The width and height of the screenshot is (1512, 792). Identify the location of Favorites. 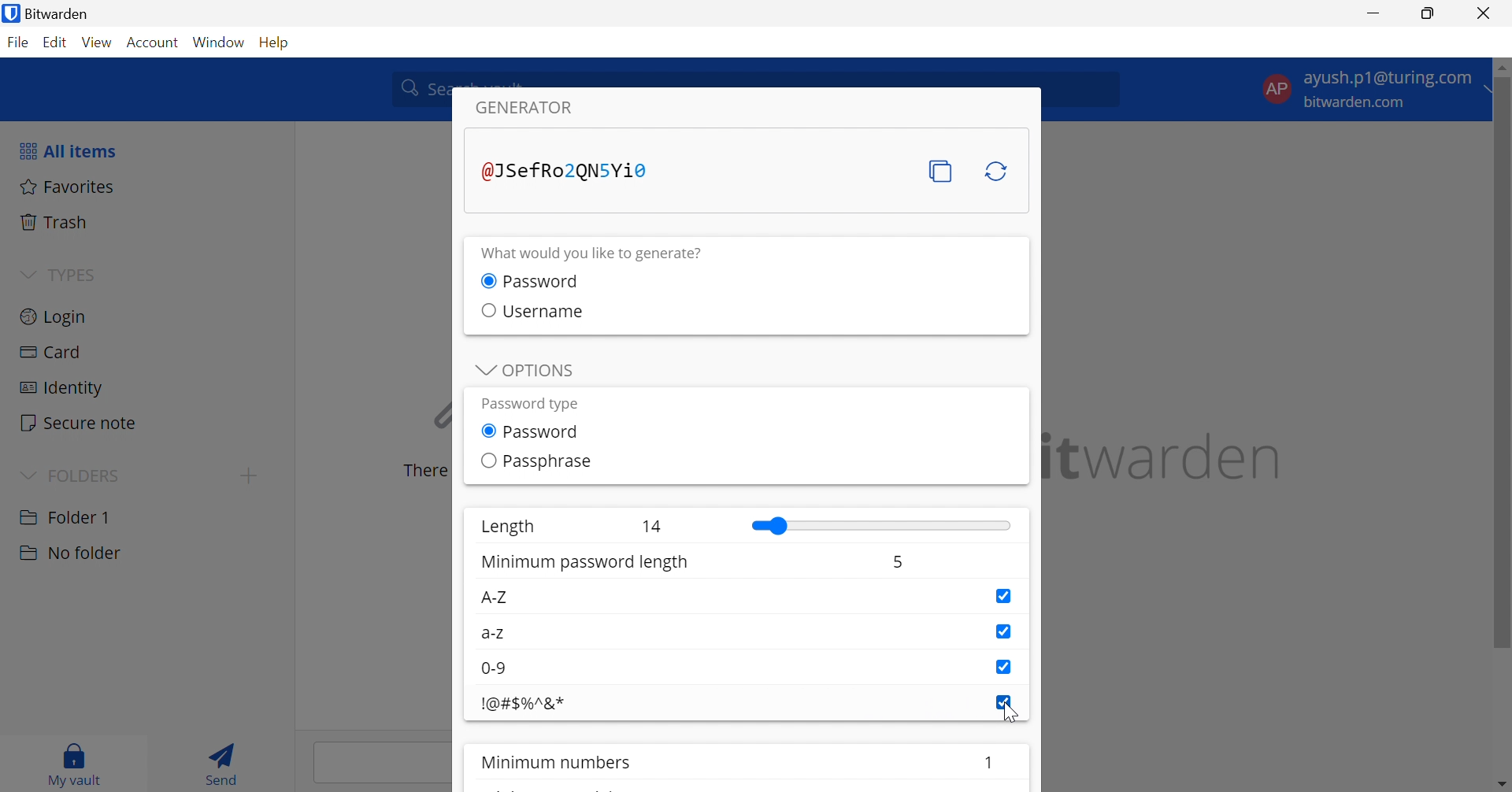
(70, 187).